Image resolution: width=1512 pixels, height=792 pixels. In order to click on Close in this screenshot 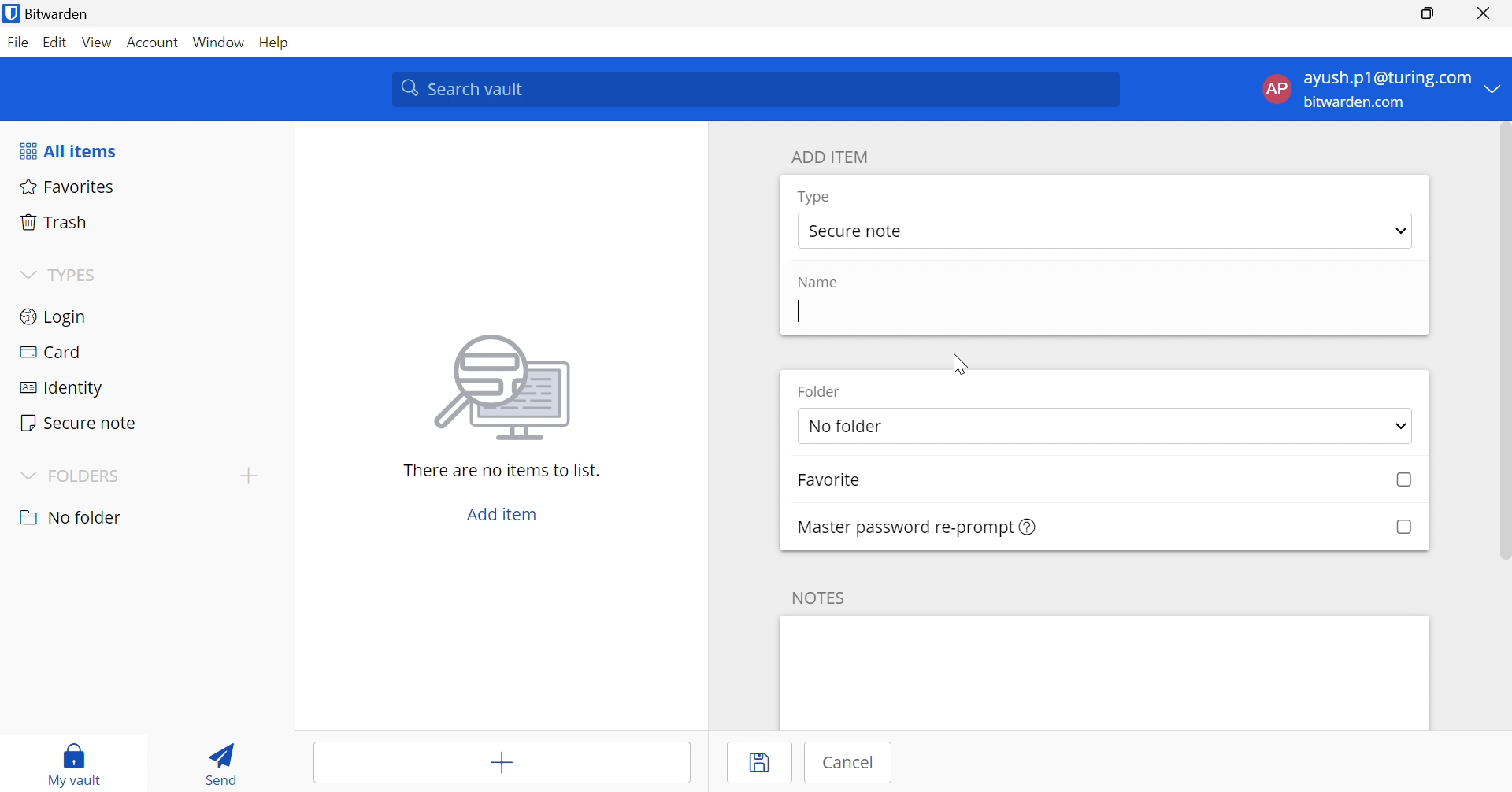, I will do `click(1483, 12)`.